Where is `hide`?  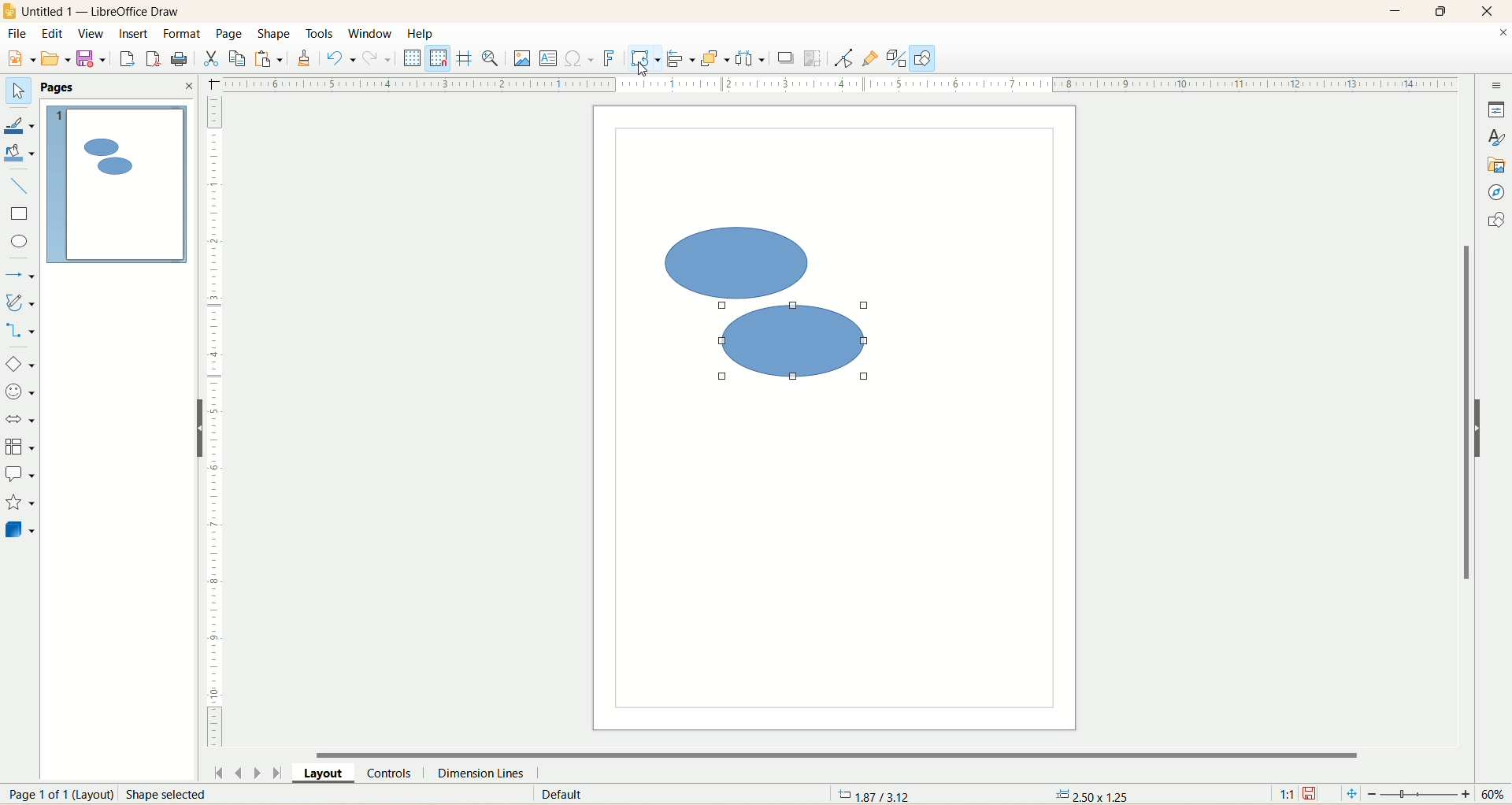 hide is located at coordinates (193, 427).